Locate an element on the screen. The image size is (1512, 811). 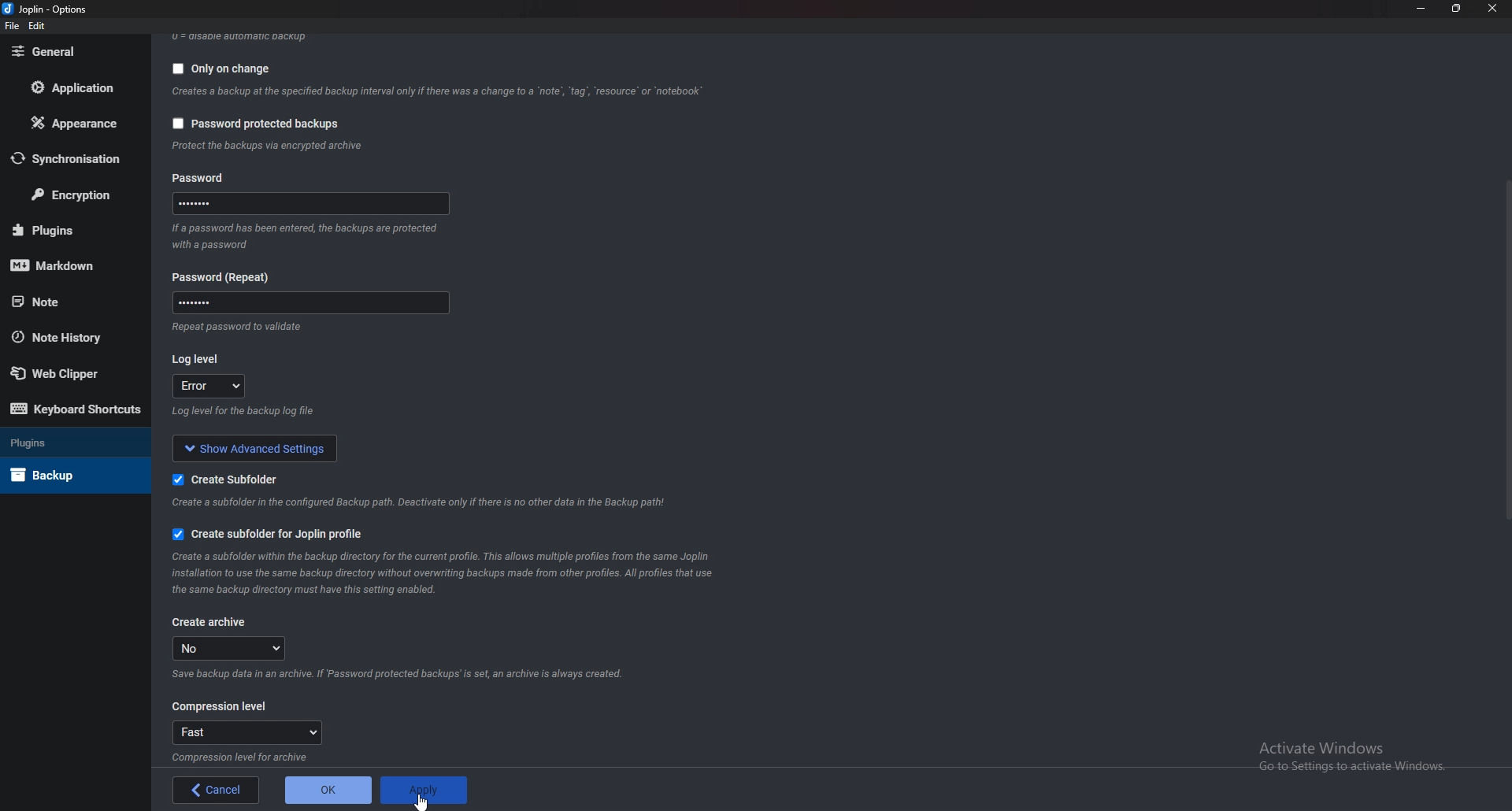
Synchronization is located at coordinates (76, 161).